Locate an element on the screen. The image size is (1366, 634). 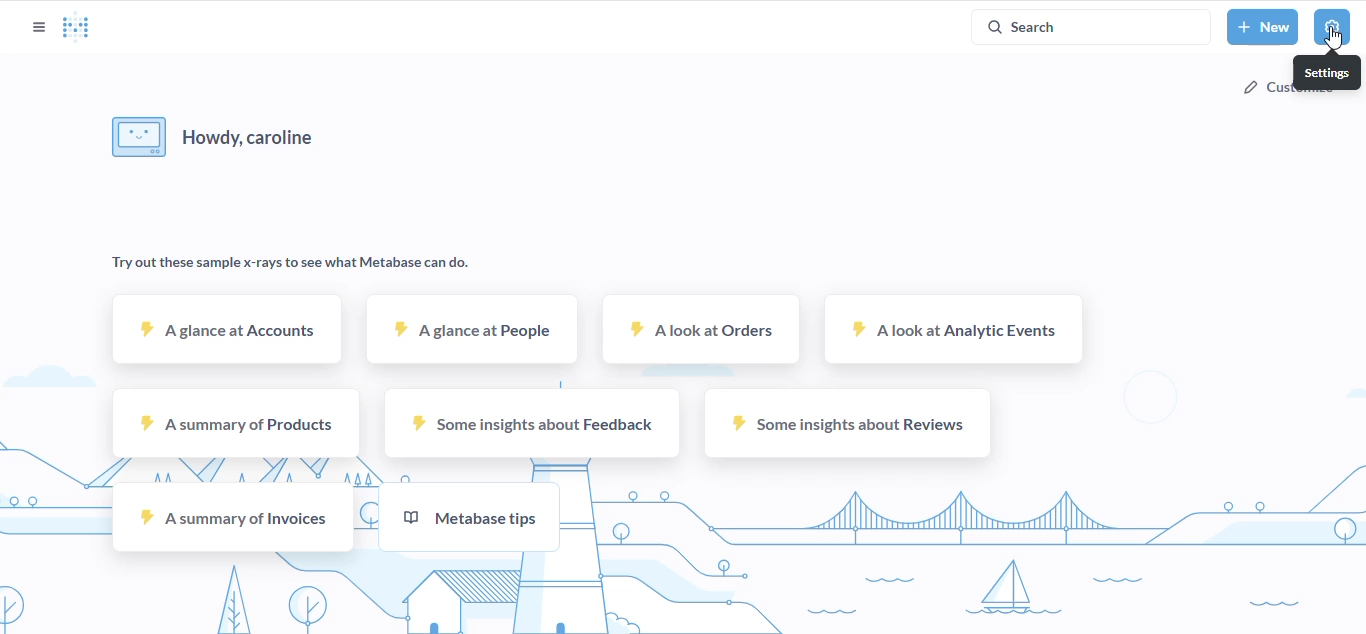
howdy, user is located at coordinates (213, 138).